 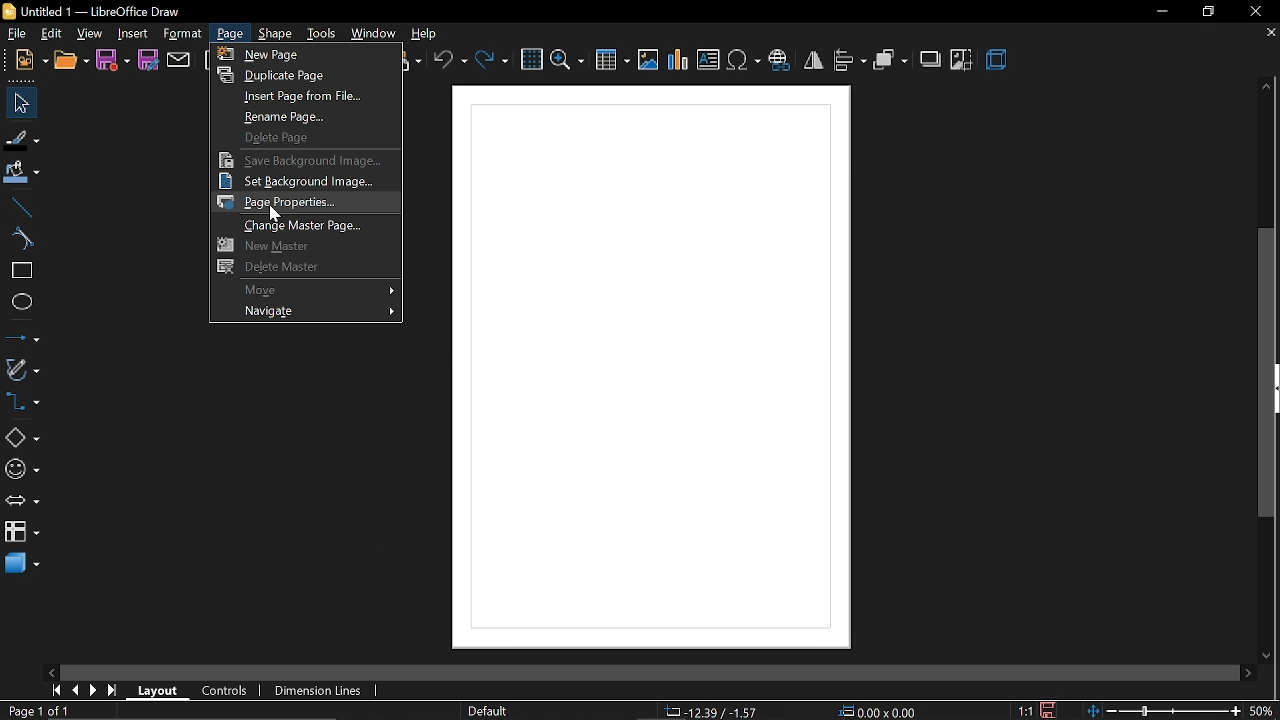 What do you see at coordinates (22, 338) in the screenshot?
I see `line and arrows` at bounding box center [22, 338].